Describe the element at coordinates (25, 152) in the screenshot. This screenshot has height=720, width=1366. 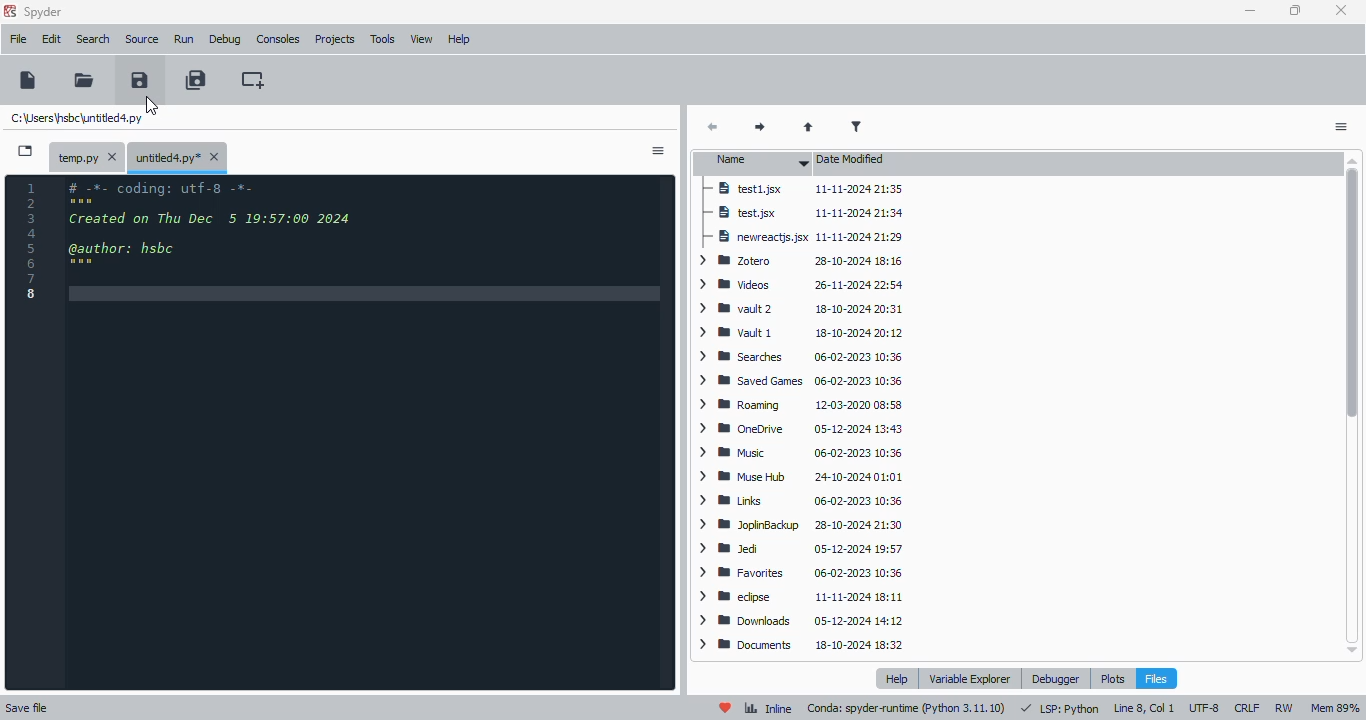
I see `browse tabs` at that location.